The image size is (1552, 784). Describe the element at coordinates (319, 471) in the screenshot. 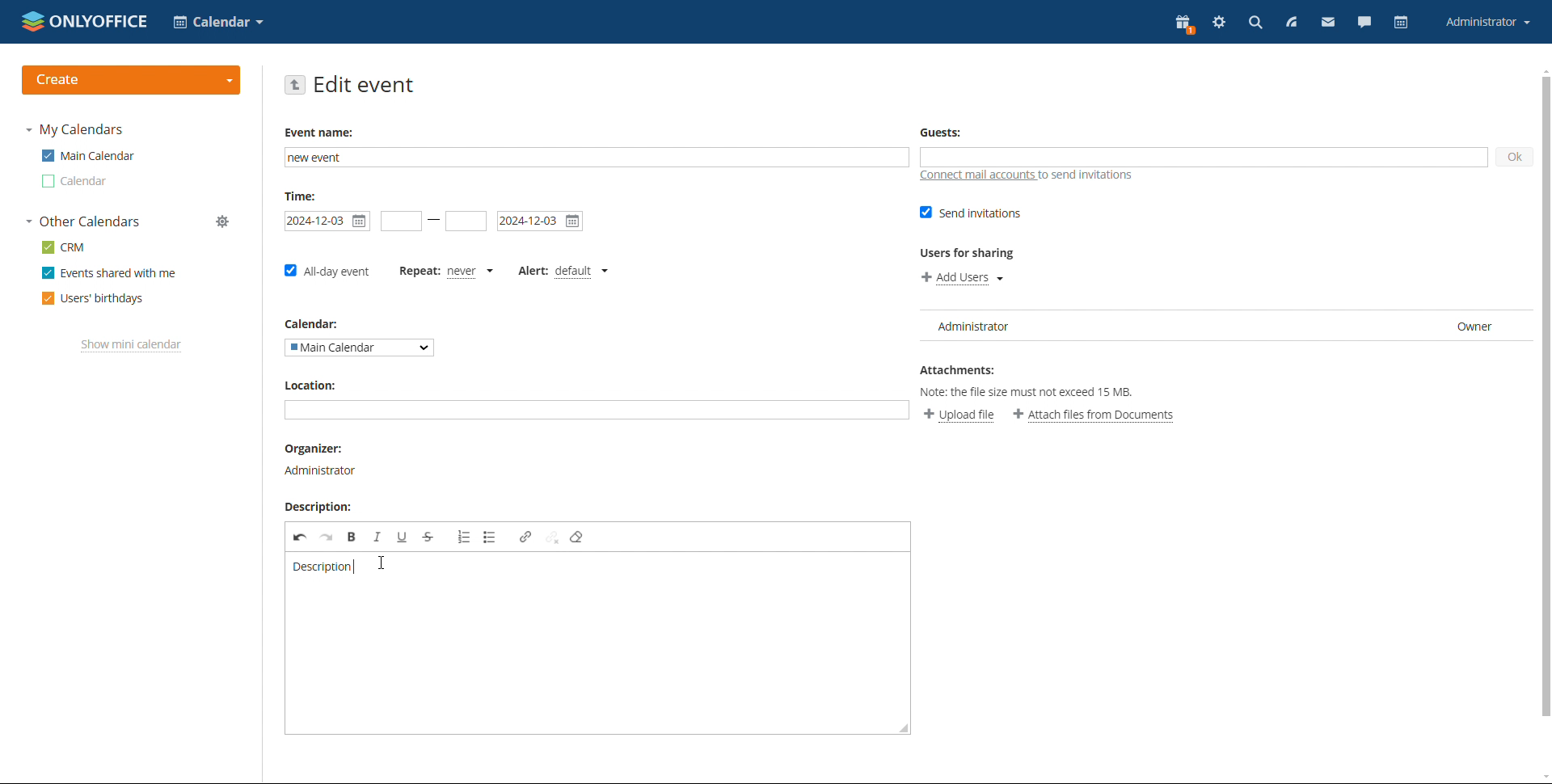

I see `organizer` at that location.